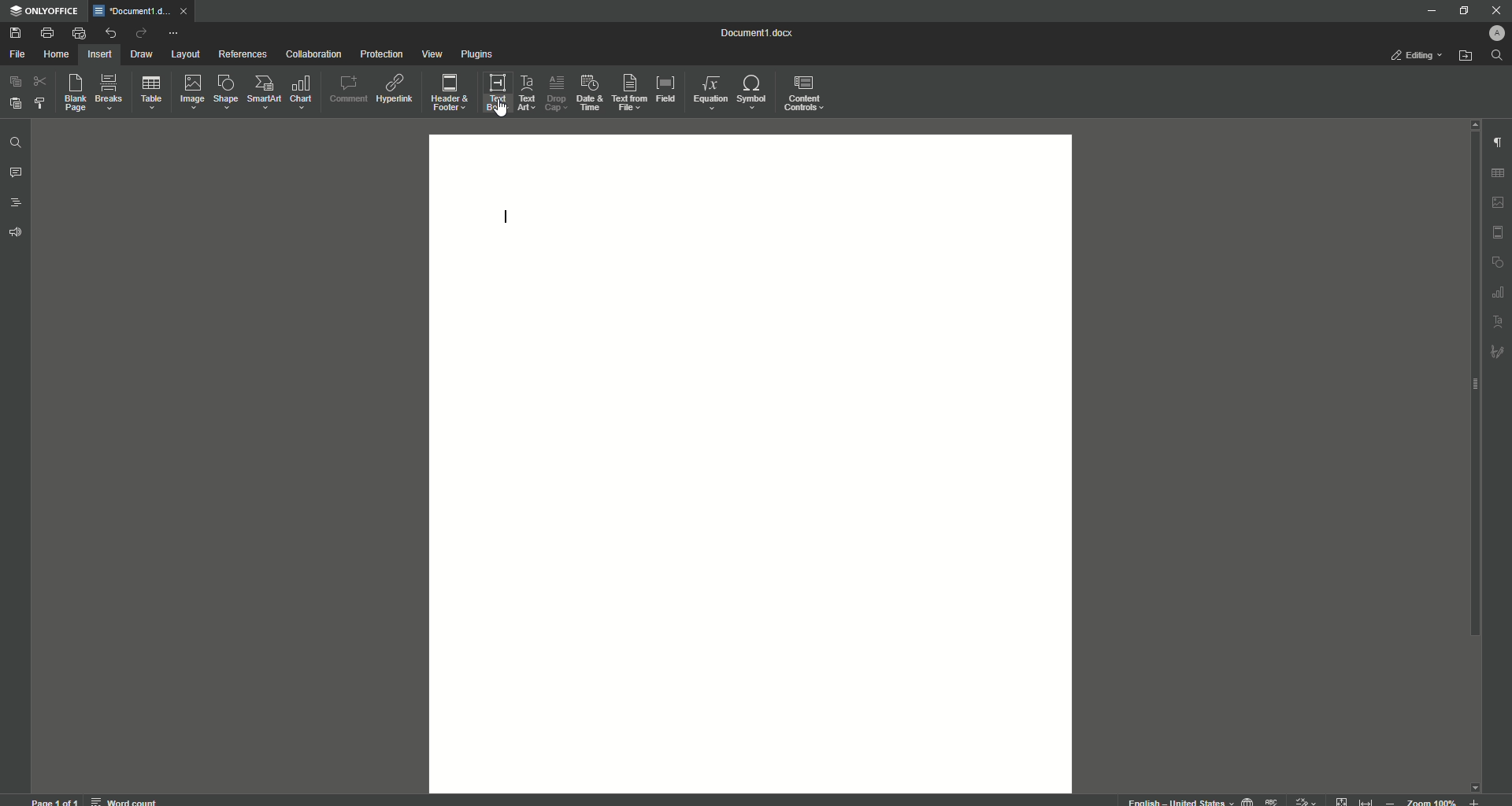 The image size is (1512, 806). What do you see at coordinates (123, 799) in the screenshot?
I see `word count` at bounding box center [123, 799].